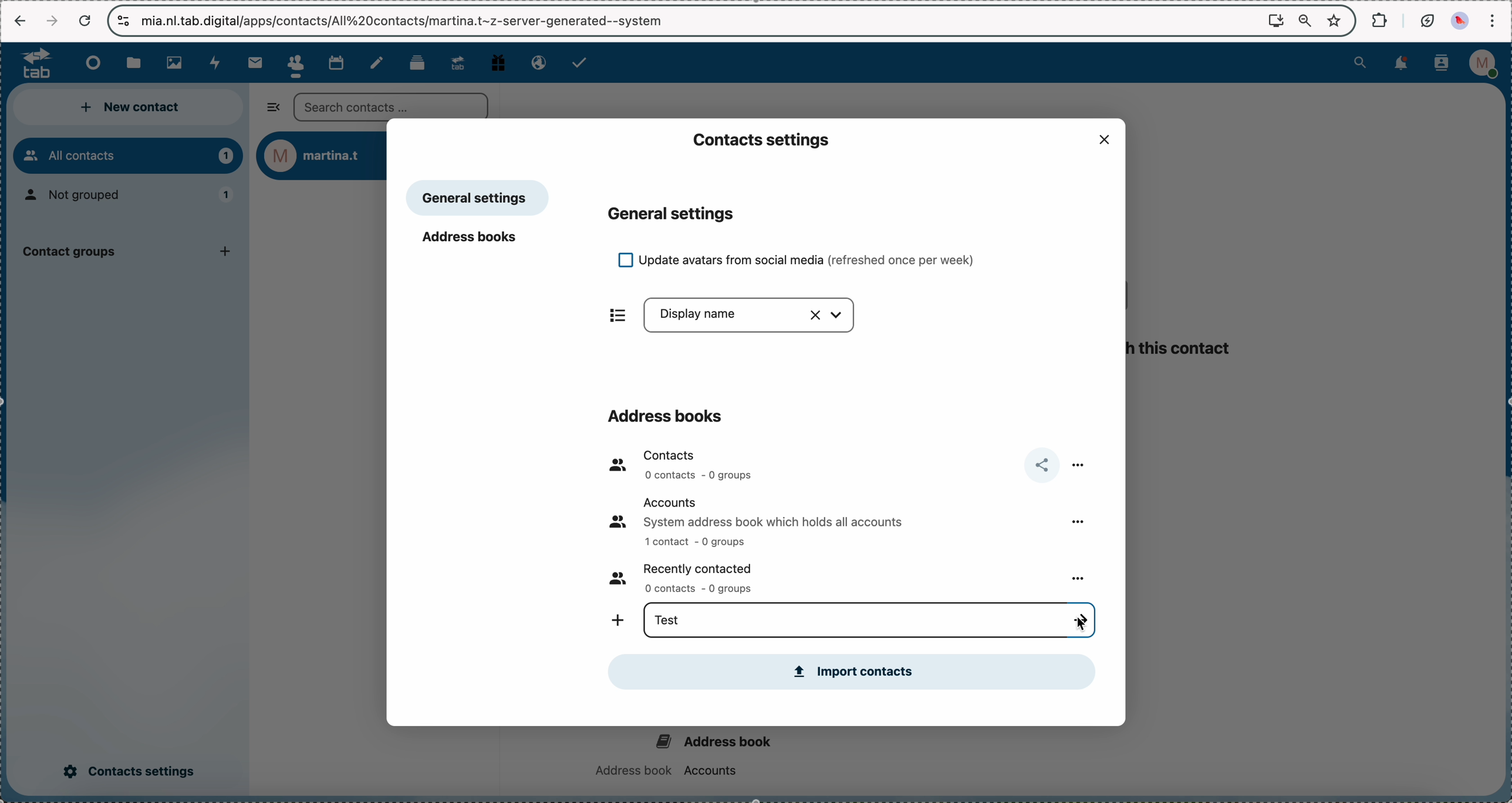  What do you see at coordinates (610, 315) in the screenshot?
I see `items` at bounding box center [610, 315].